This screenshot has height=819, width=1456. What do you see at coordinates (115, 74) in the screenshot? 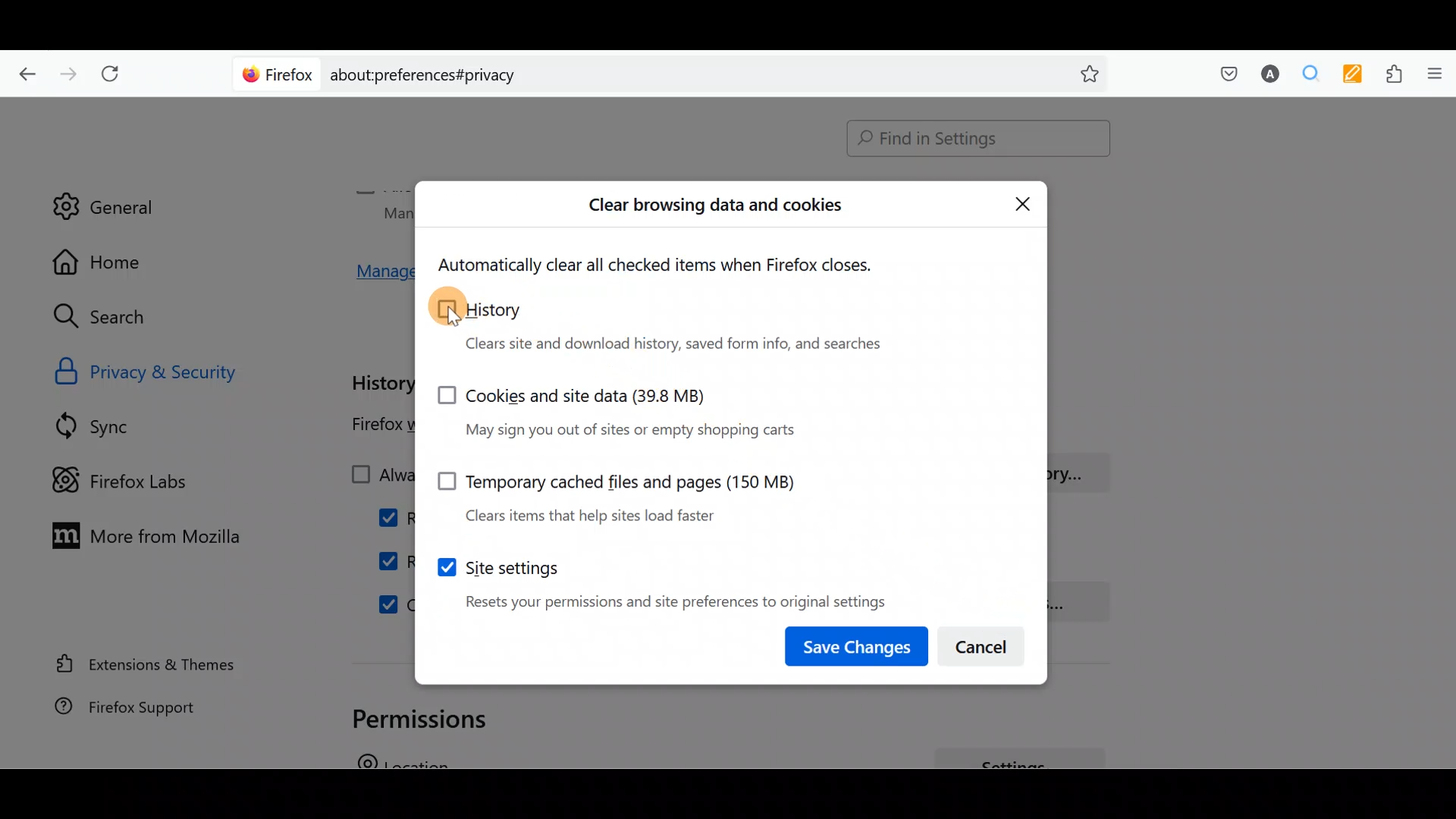
I see `Reload current page` at bounding box center [115, 74].